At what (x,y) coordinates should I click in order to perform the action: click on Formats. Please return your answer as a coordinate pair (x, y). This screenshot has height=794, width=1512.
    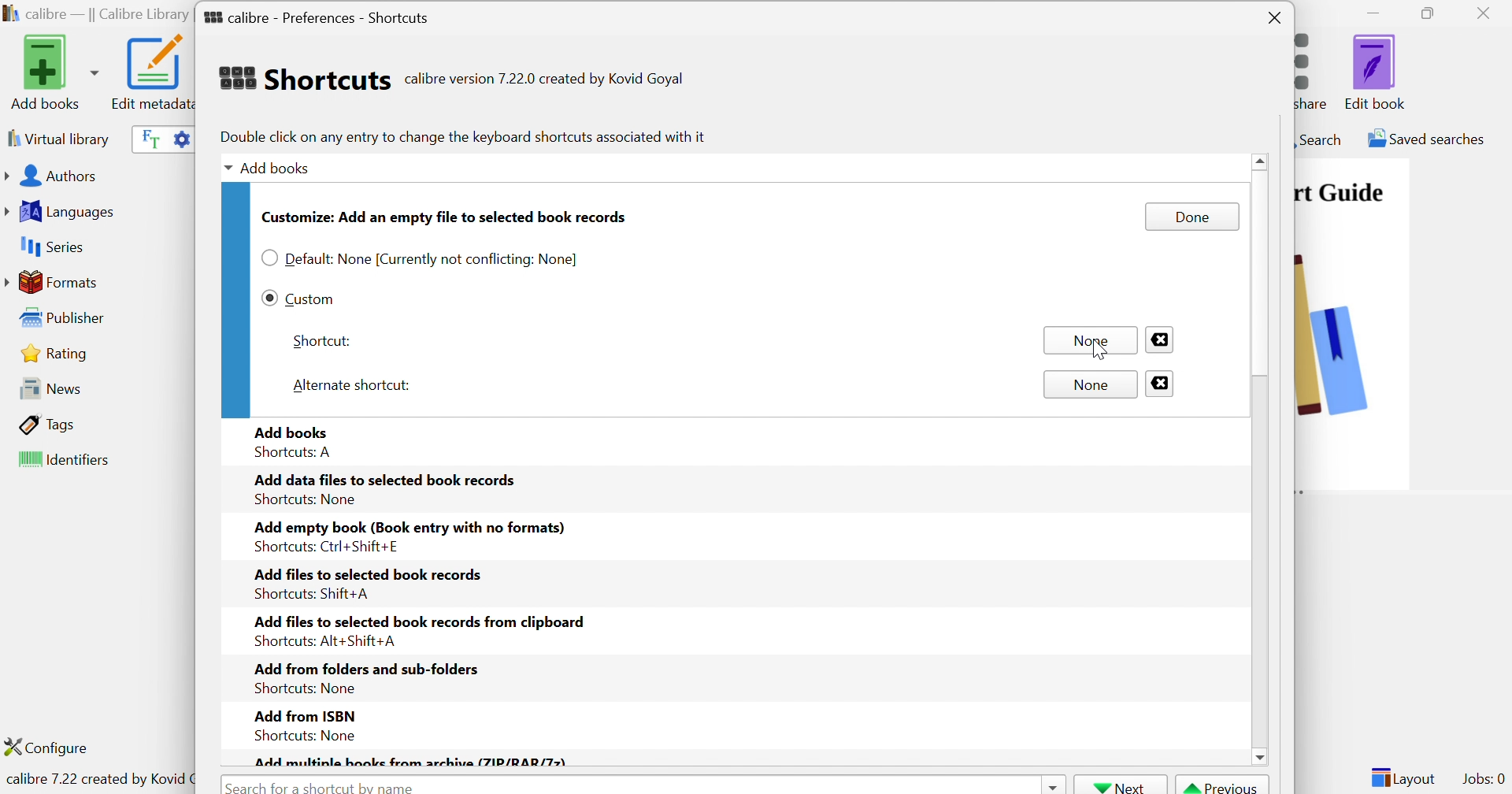
    Looking at the image, I should click on (54, 282).